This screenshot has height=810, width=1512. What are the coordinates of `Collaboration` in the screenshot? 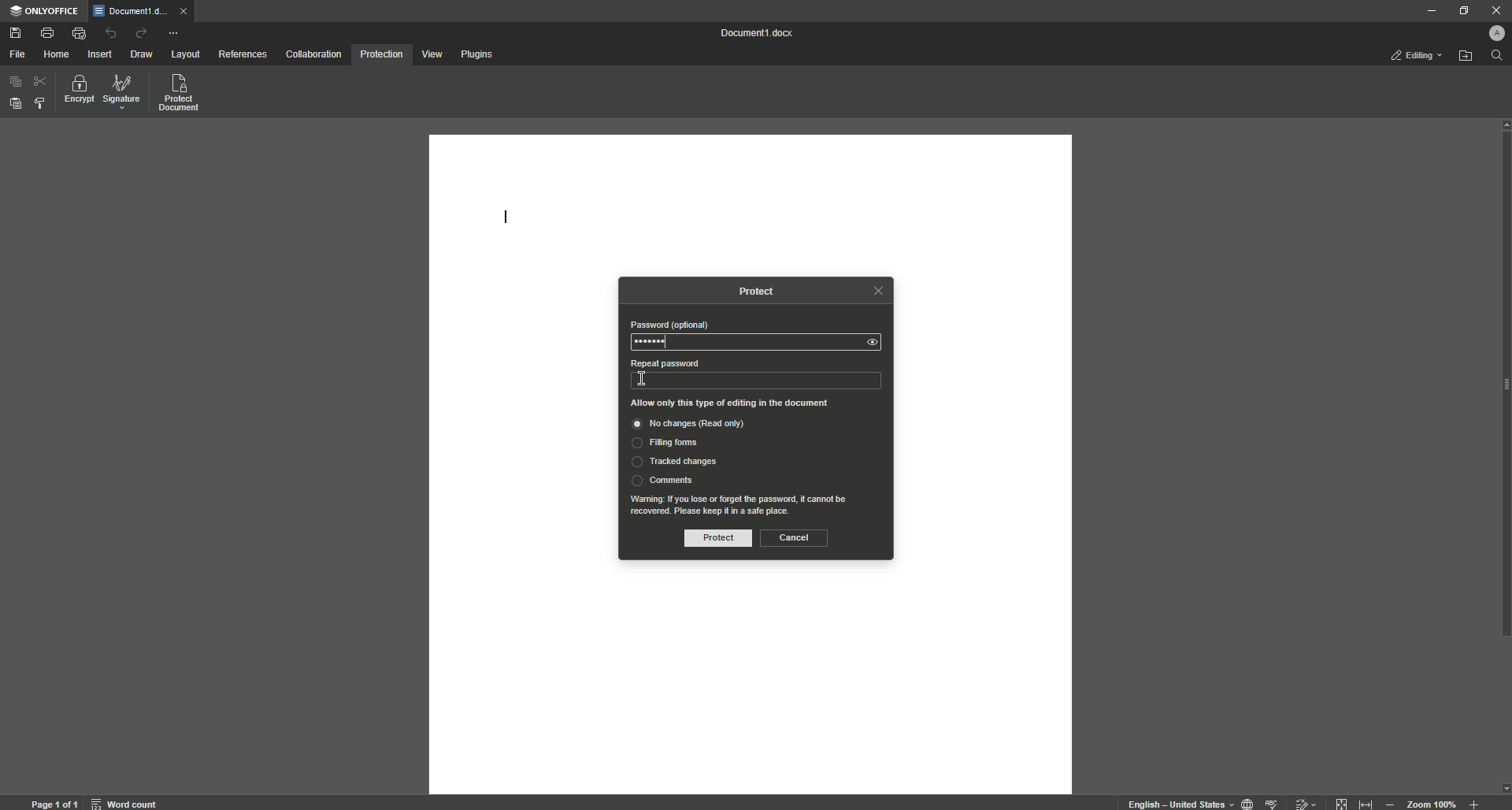 It's located at (314, 54).